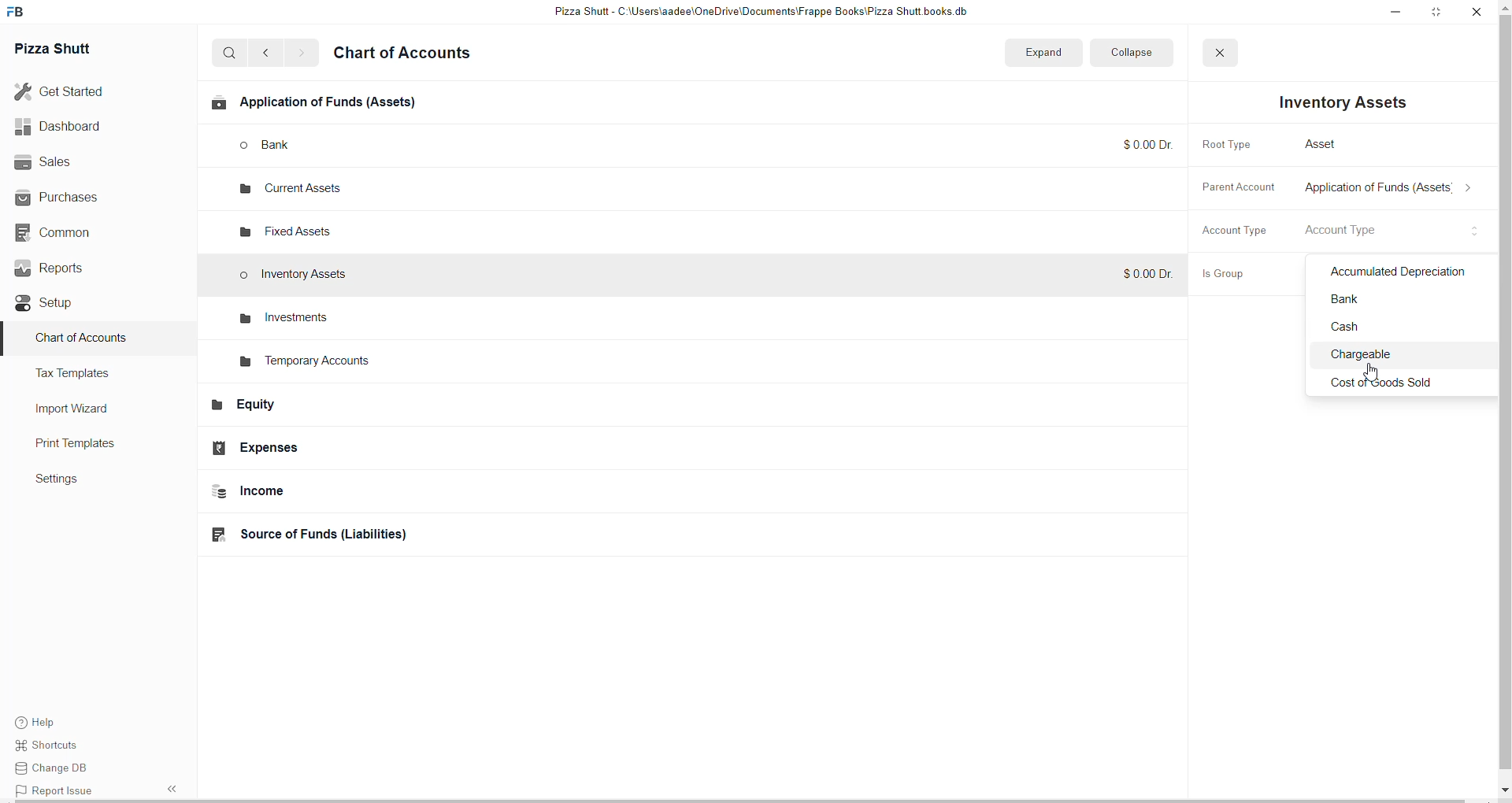 The width and height of the screenshot is (1512, 803). What do you see at coordinates (51, 771) in the screenshot?
I see `change DB` at bounding box center [51, 771].